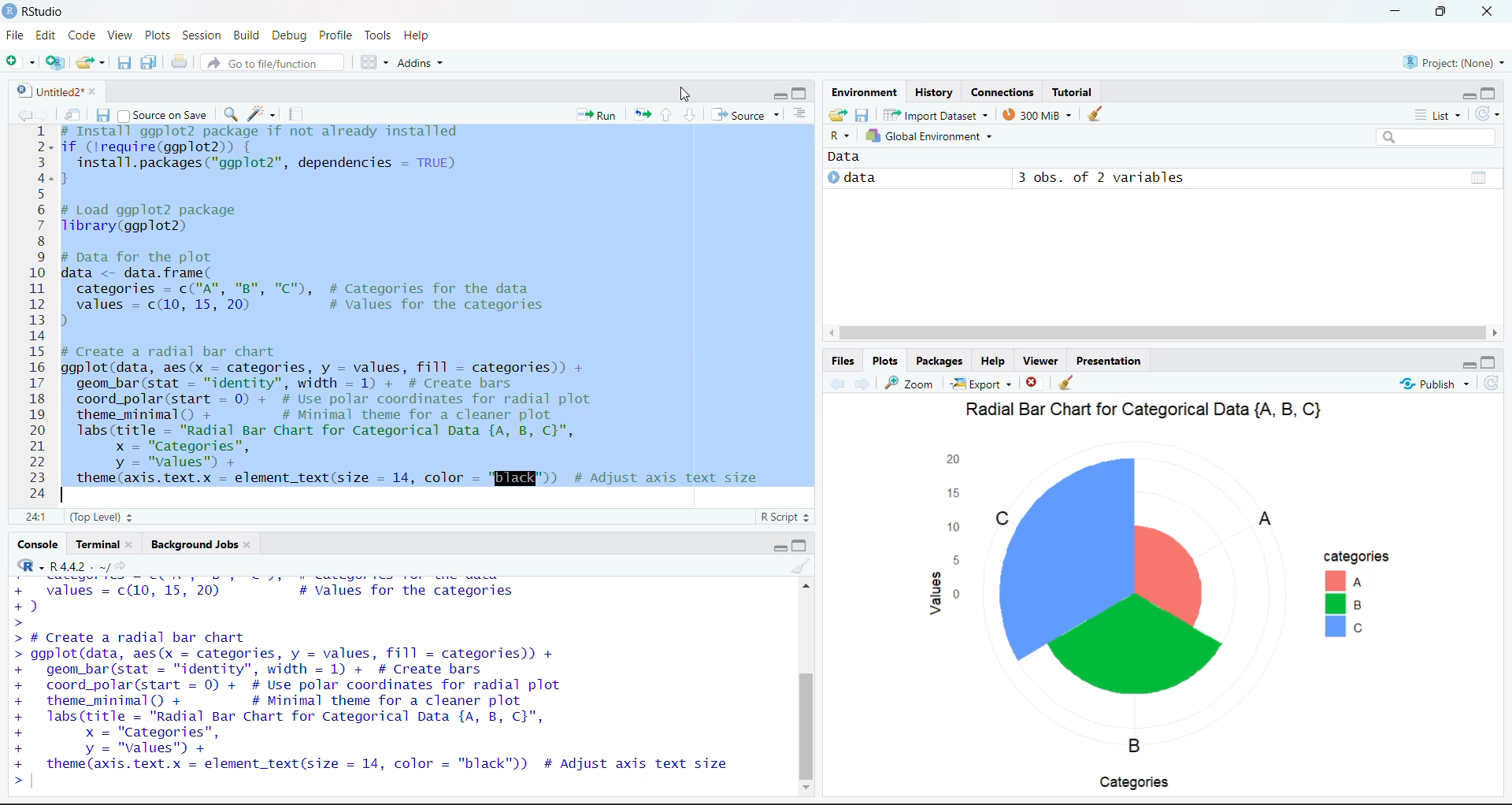  What do you see at coordinates (668, 114) in the screenshot?
I see `go to next section/chunk` at bounding box center [668, 114].